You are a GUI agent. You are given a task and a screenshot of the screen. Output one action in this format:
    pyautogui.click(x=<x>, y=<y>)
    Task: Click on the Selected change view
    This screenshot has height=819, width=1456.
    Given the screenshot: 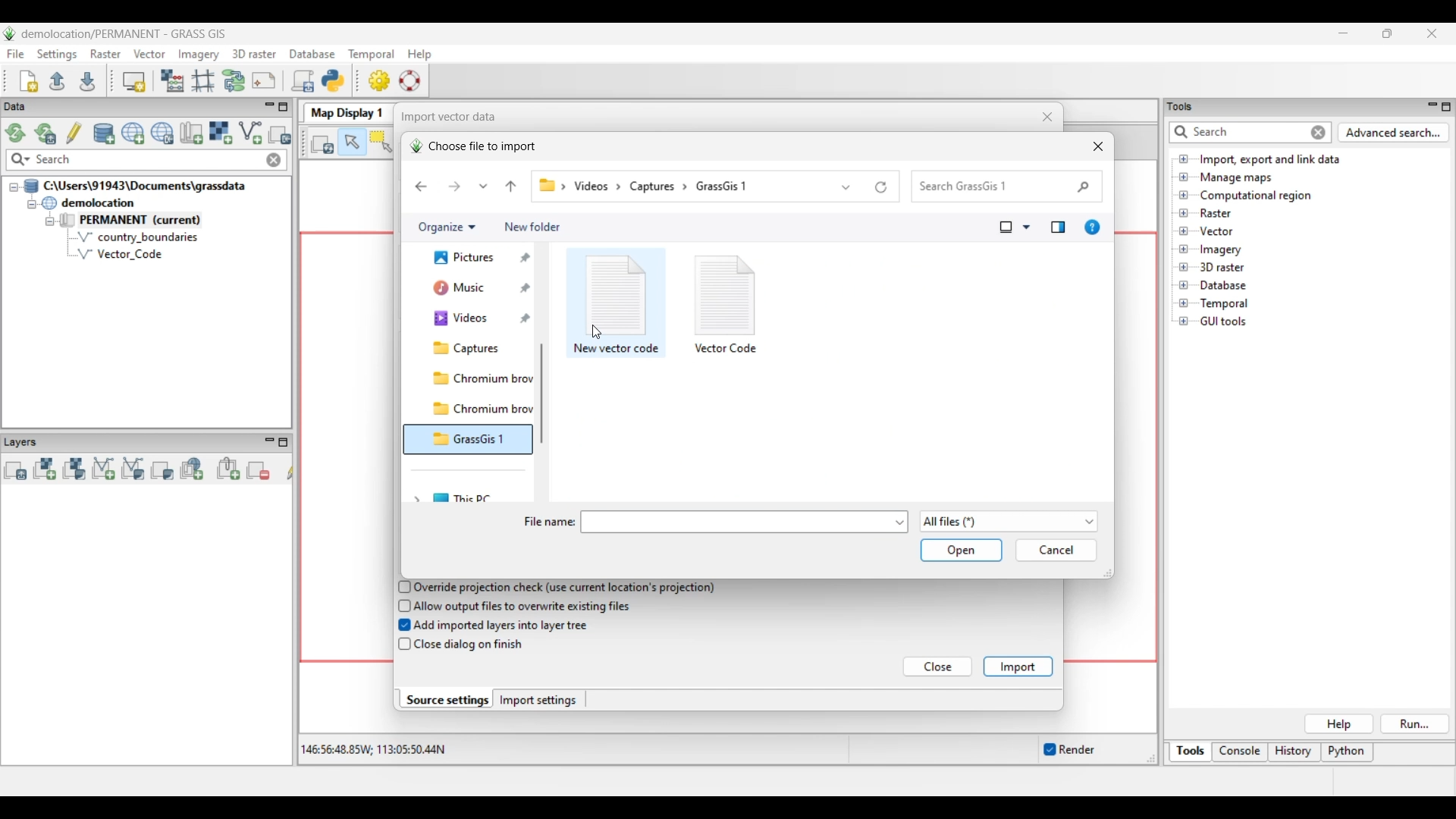 What is the action you would take?
    pyautogui.click(x=1006, y=227)
    